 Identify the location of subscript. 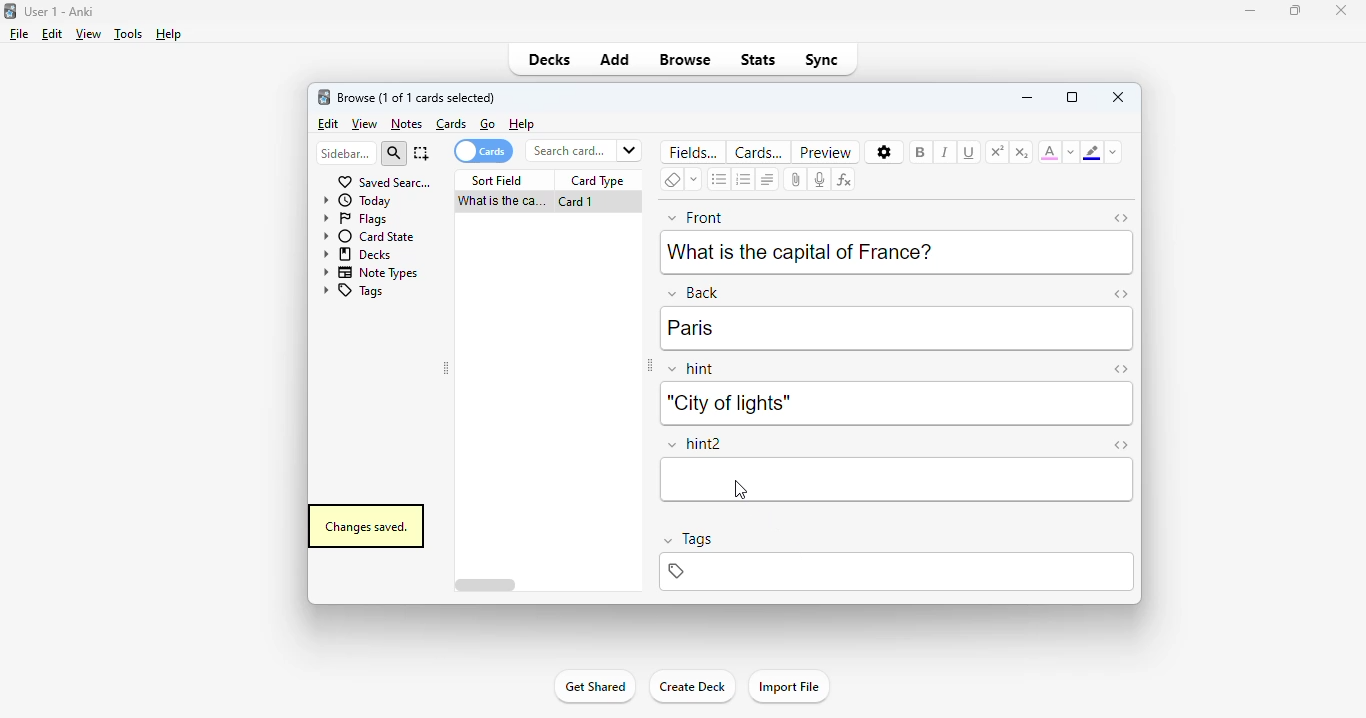
(1021, 152).